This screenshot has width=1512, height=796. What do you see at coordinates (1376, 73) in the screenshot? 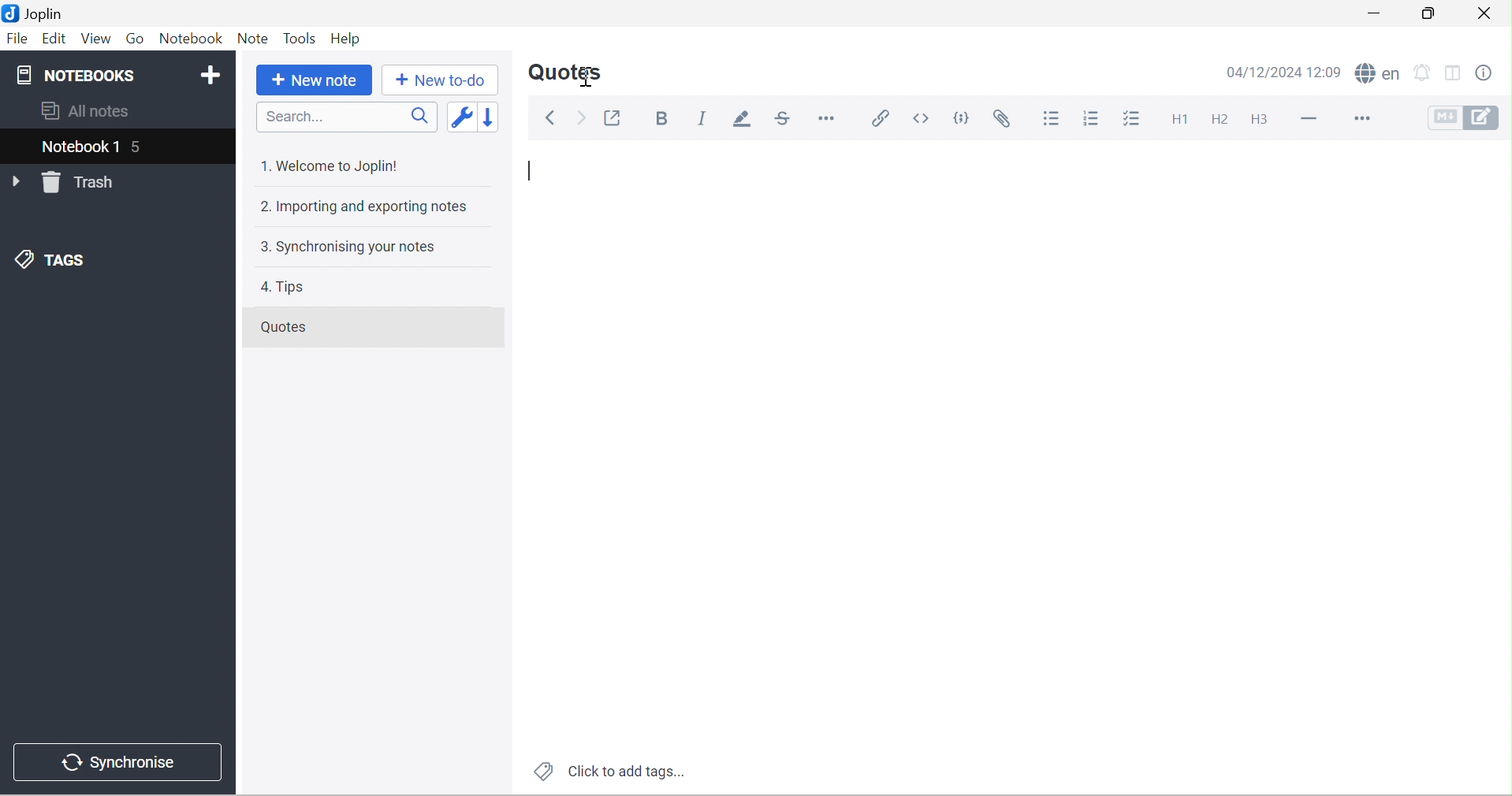
I see `spell checker` at bounding box center [1376, 73].